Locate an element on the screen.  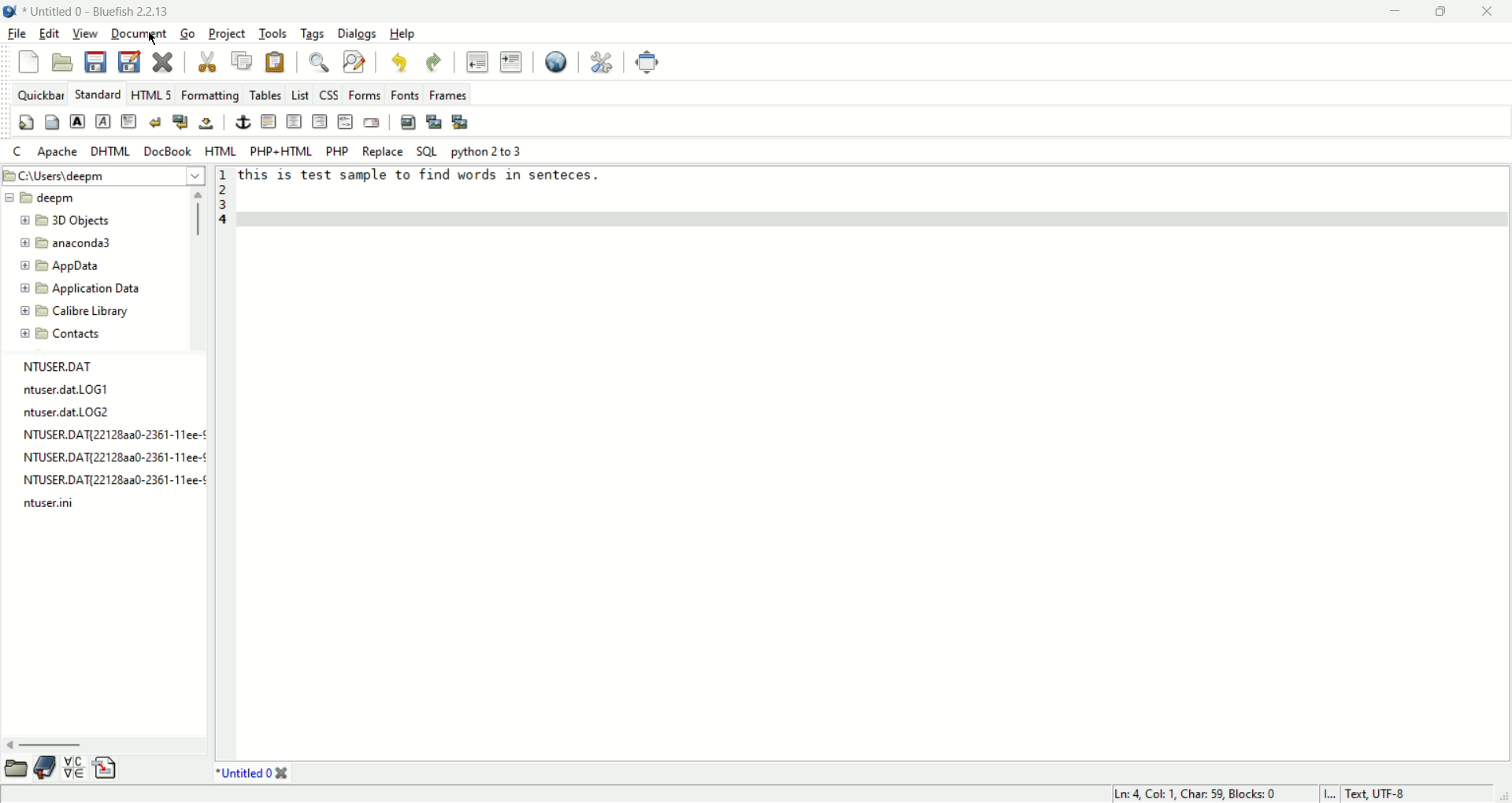
preferences is located at coordinates (600, 63).